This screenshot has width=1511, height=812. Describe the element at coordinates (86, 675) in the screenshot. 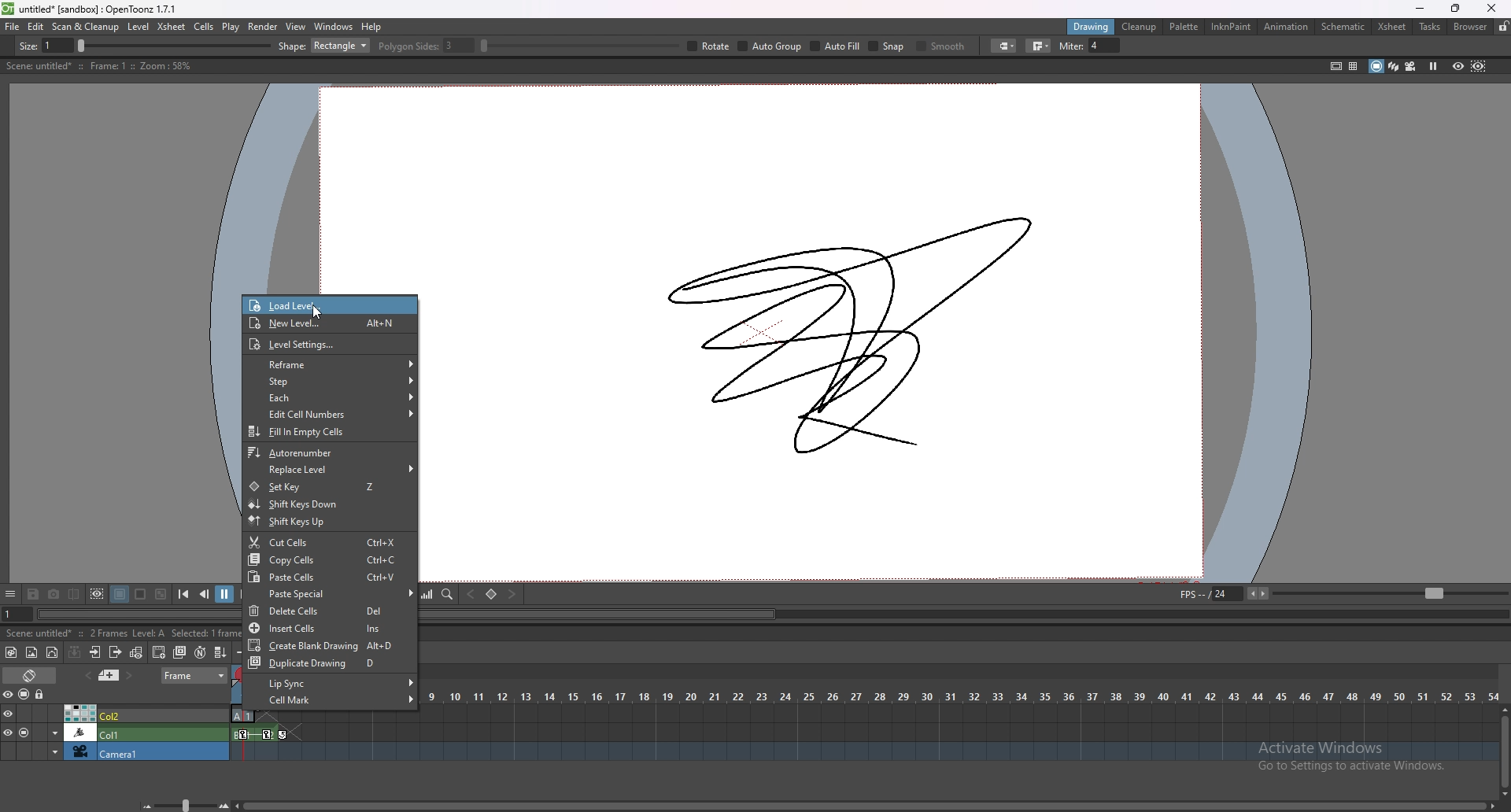

I see `previous memo` at that location.